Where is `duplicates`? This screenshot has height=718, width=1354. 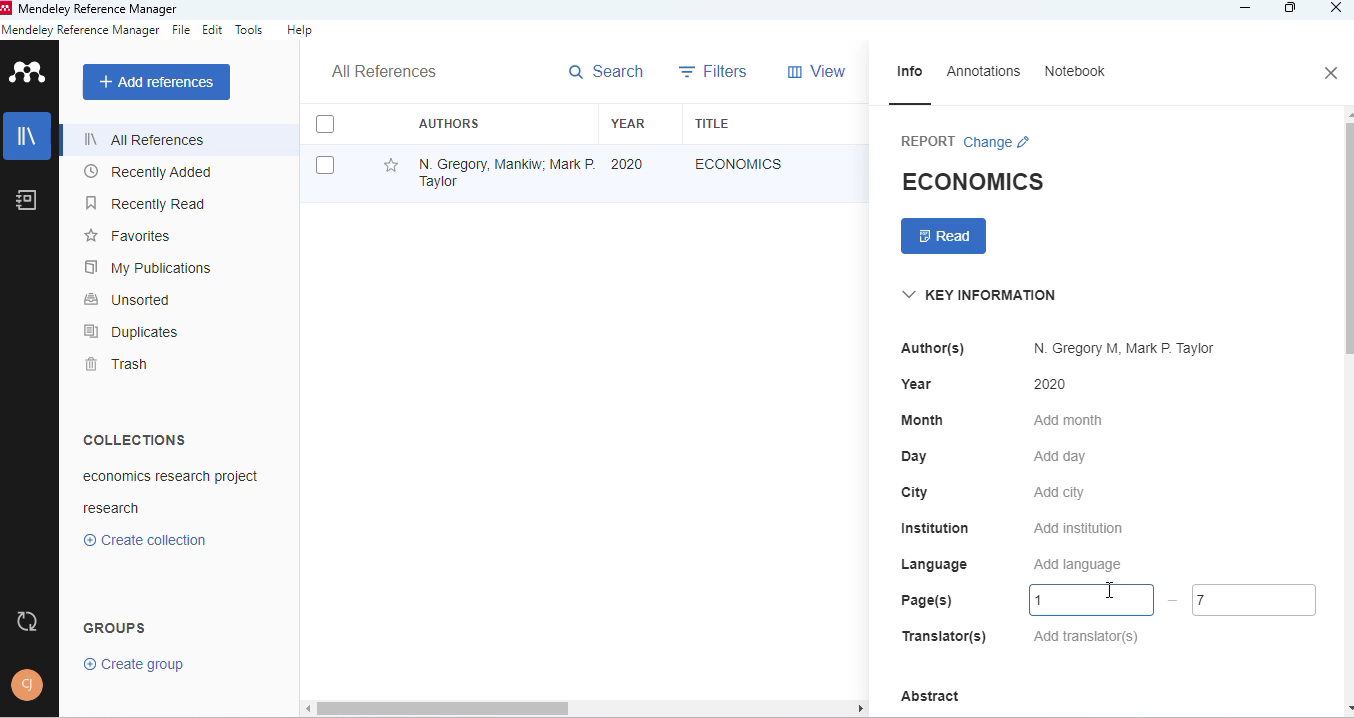
duplicates is located at coordinates (130, 331).